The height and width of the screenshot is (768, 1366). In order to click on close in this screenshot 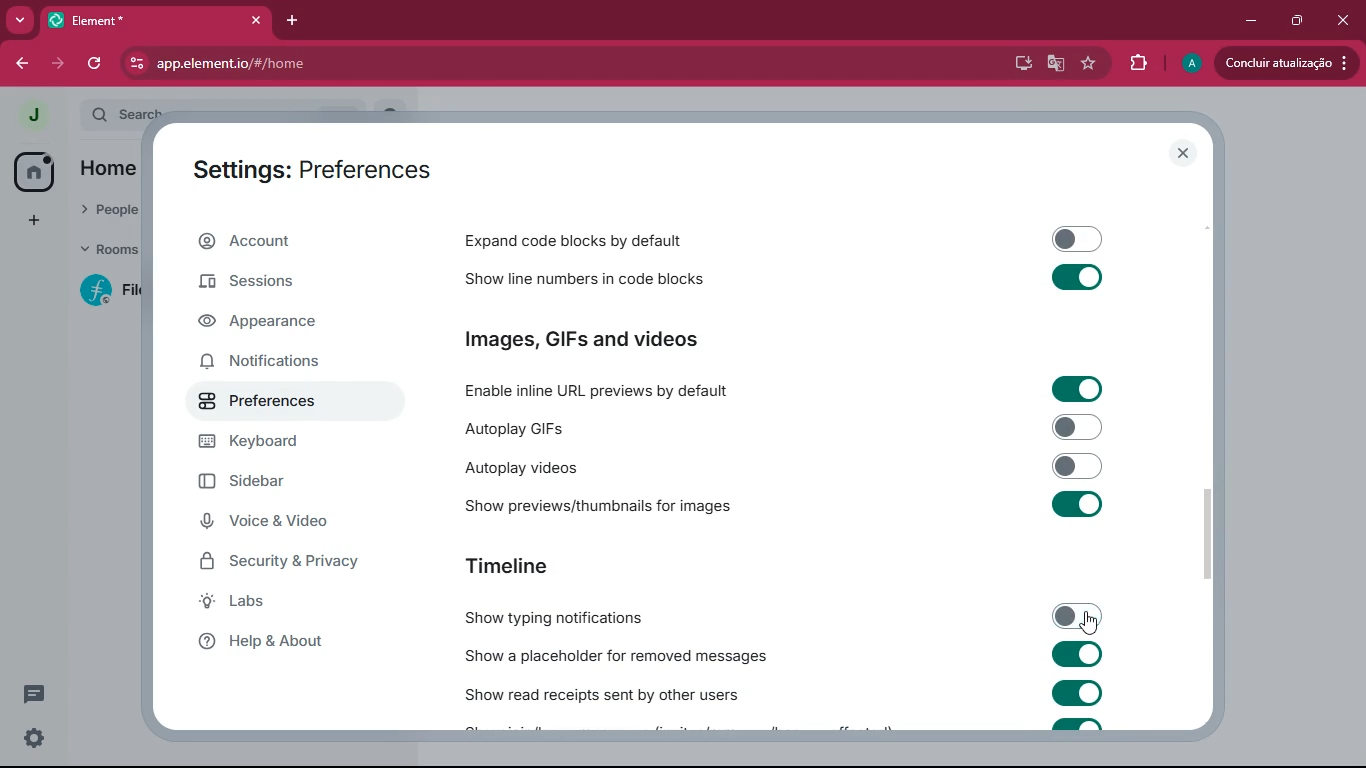, I will do `click(1182, 153)`.